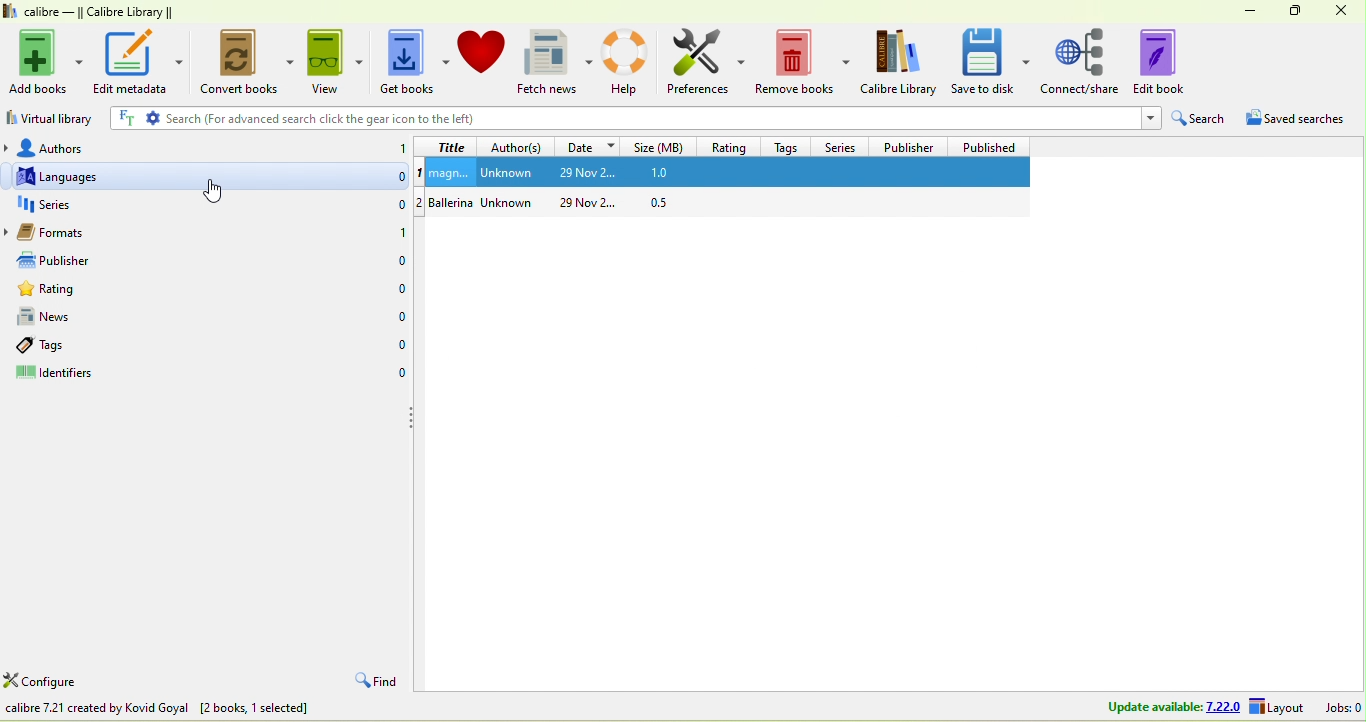 This screenshot has width=1366, height=722. What do you see at coordinates (1297, 116) in the screenshot?
I see `saved searches` at bounding box center [1297, 116].